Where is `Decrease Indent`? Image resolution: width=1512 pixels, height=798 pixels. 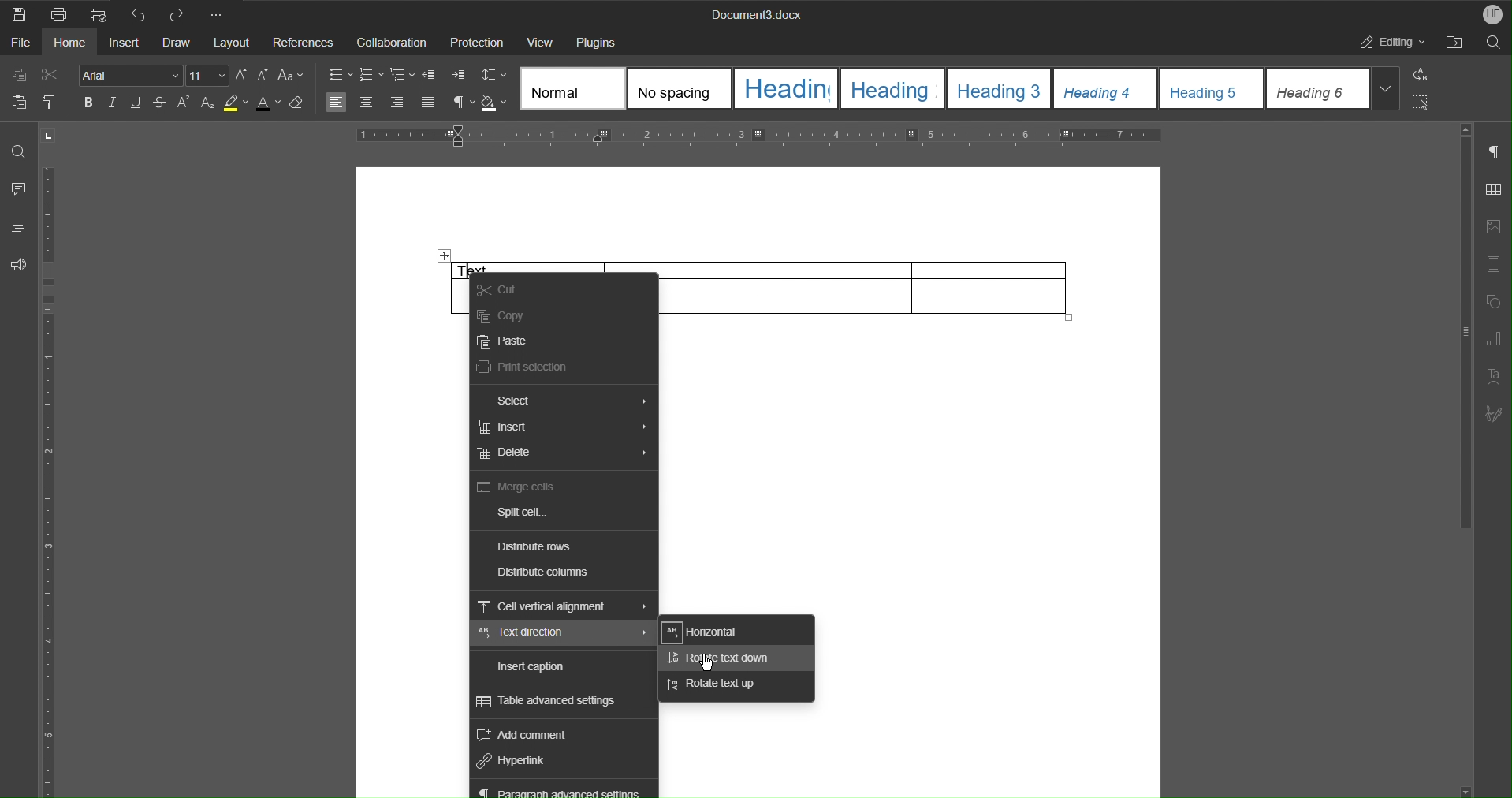
Decrease Indent is located at coordinates (430, 75).